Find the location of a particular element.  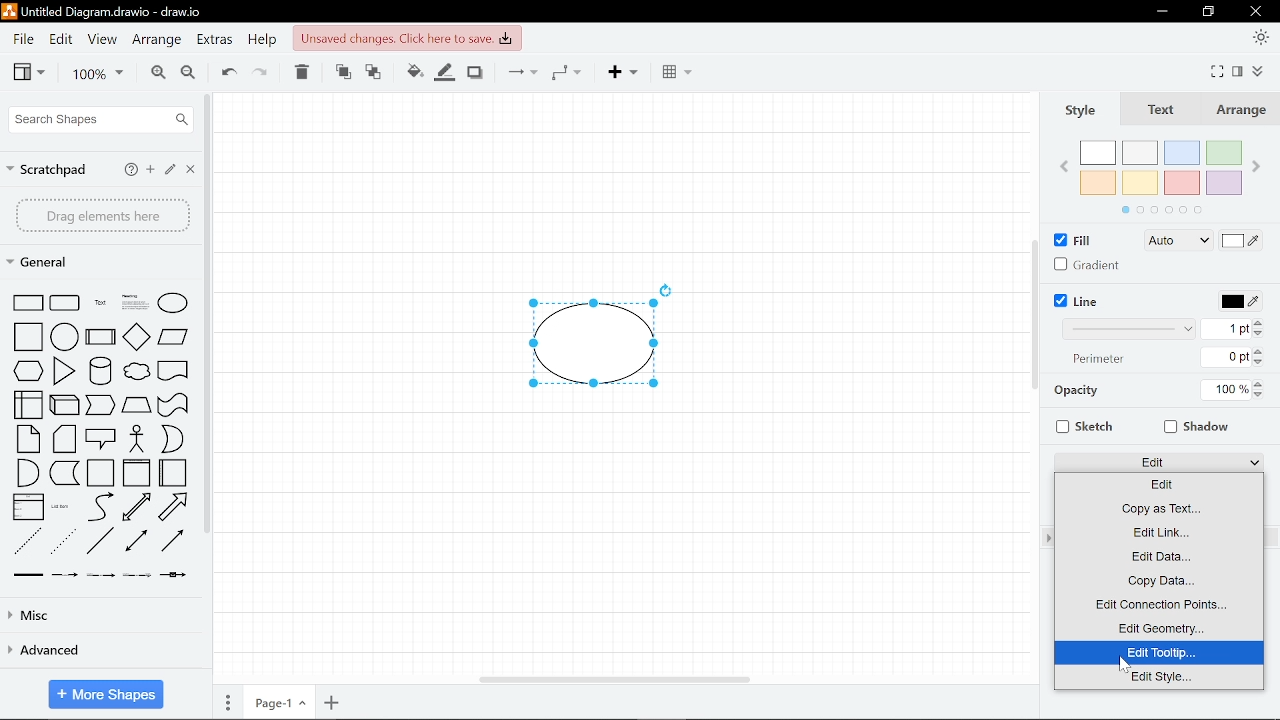

text is located at coordinates (98, 303).